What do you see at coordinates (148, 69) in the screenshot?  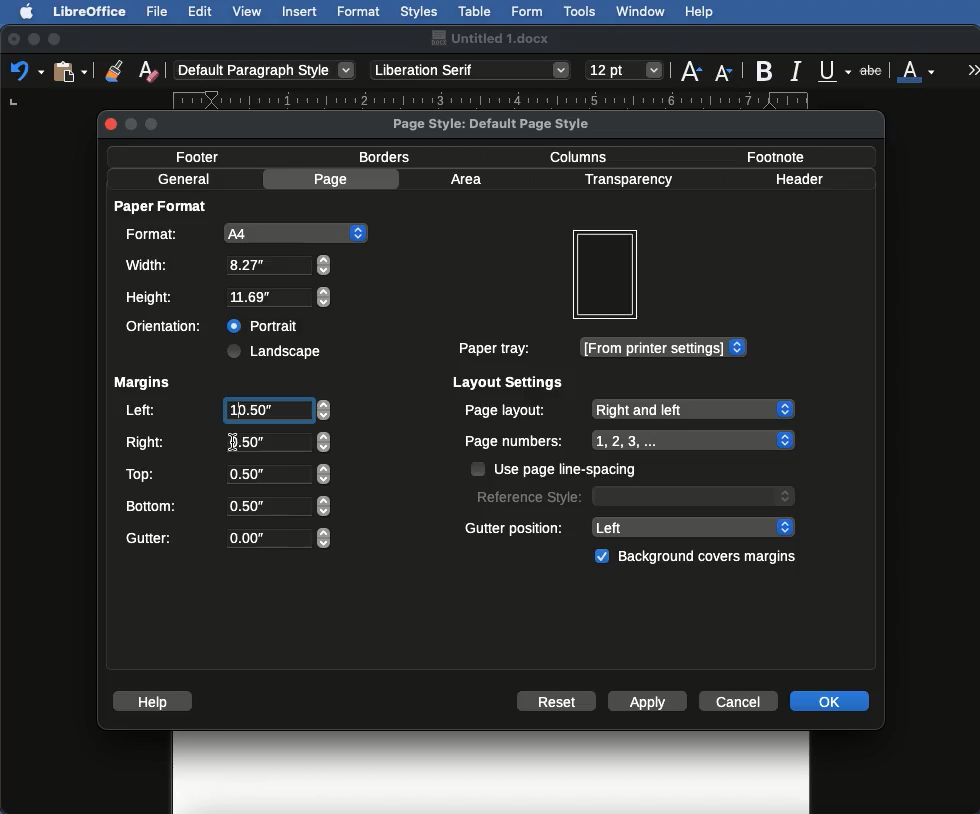 I see `Clear formatting` at bounding box center [148, 69].